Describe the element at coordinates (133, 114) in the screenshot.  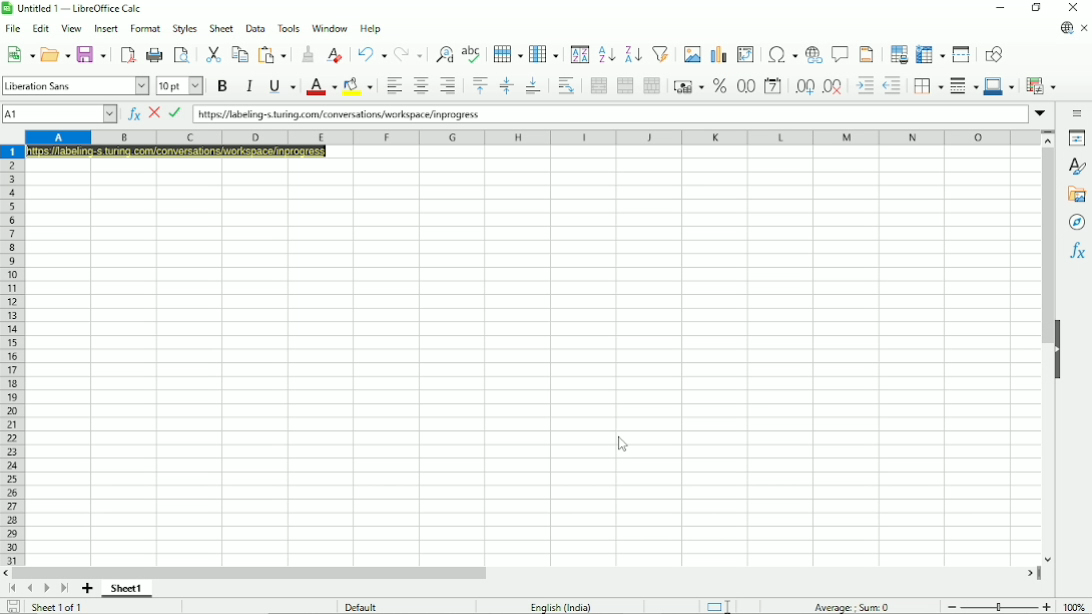
I see `Function wizard` at that location.